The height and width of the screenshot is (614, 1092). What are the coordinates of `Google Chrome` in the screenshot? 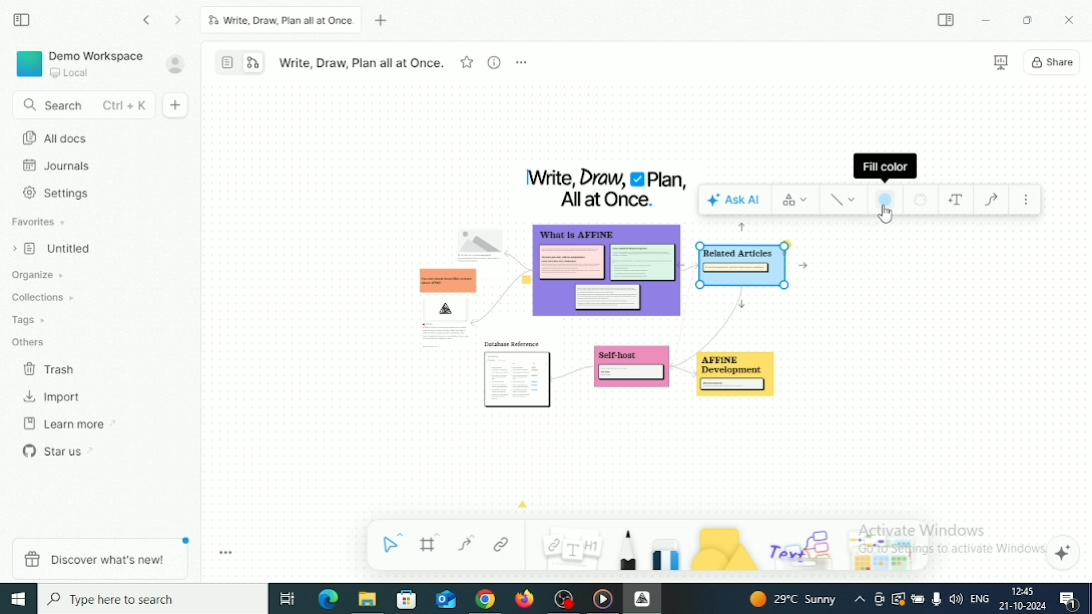 It's located at (485, 600).